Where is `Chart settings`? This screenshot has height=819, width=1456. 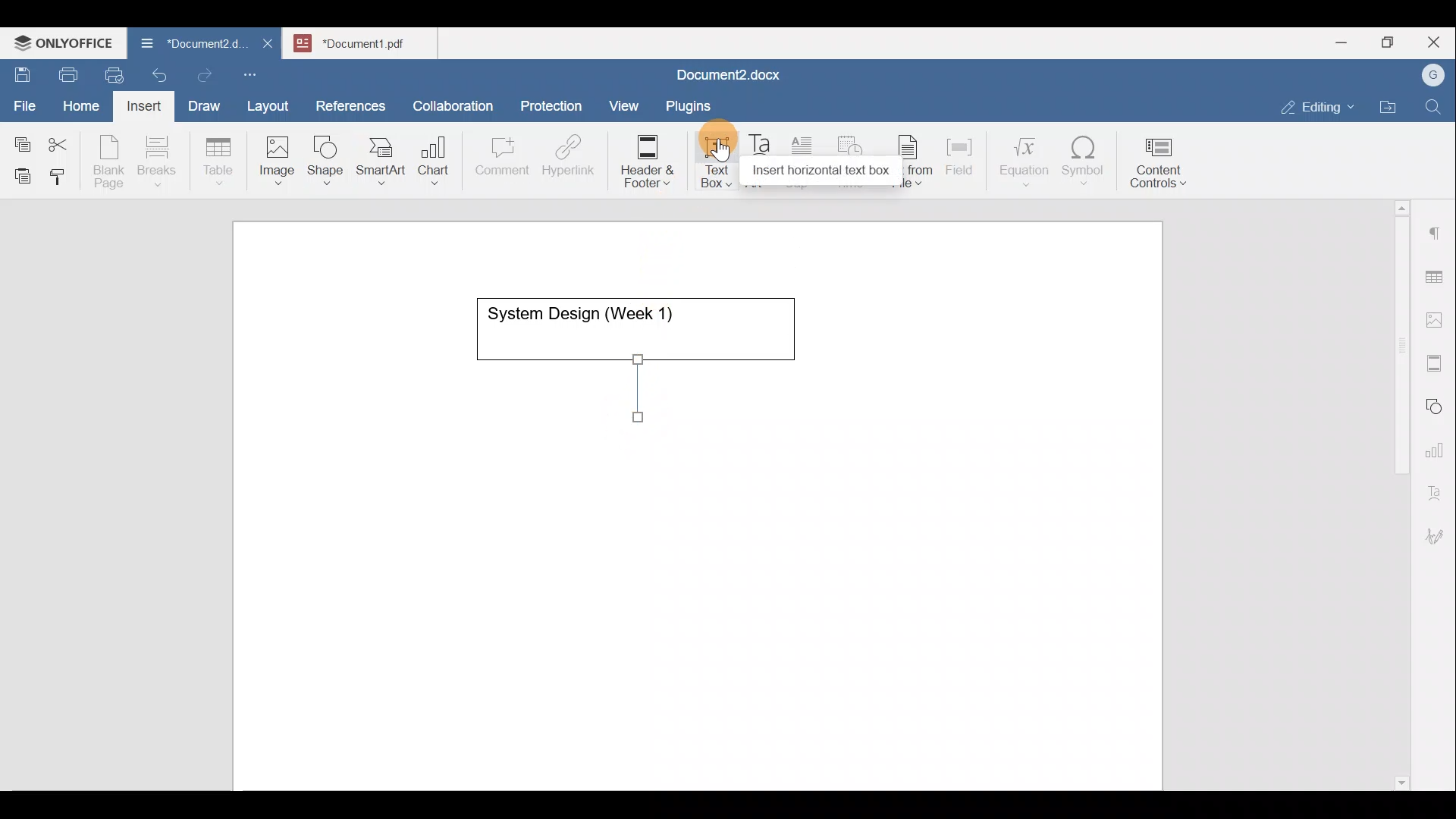 Chart settings is located at coordinates (1438, 444).